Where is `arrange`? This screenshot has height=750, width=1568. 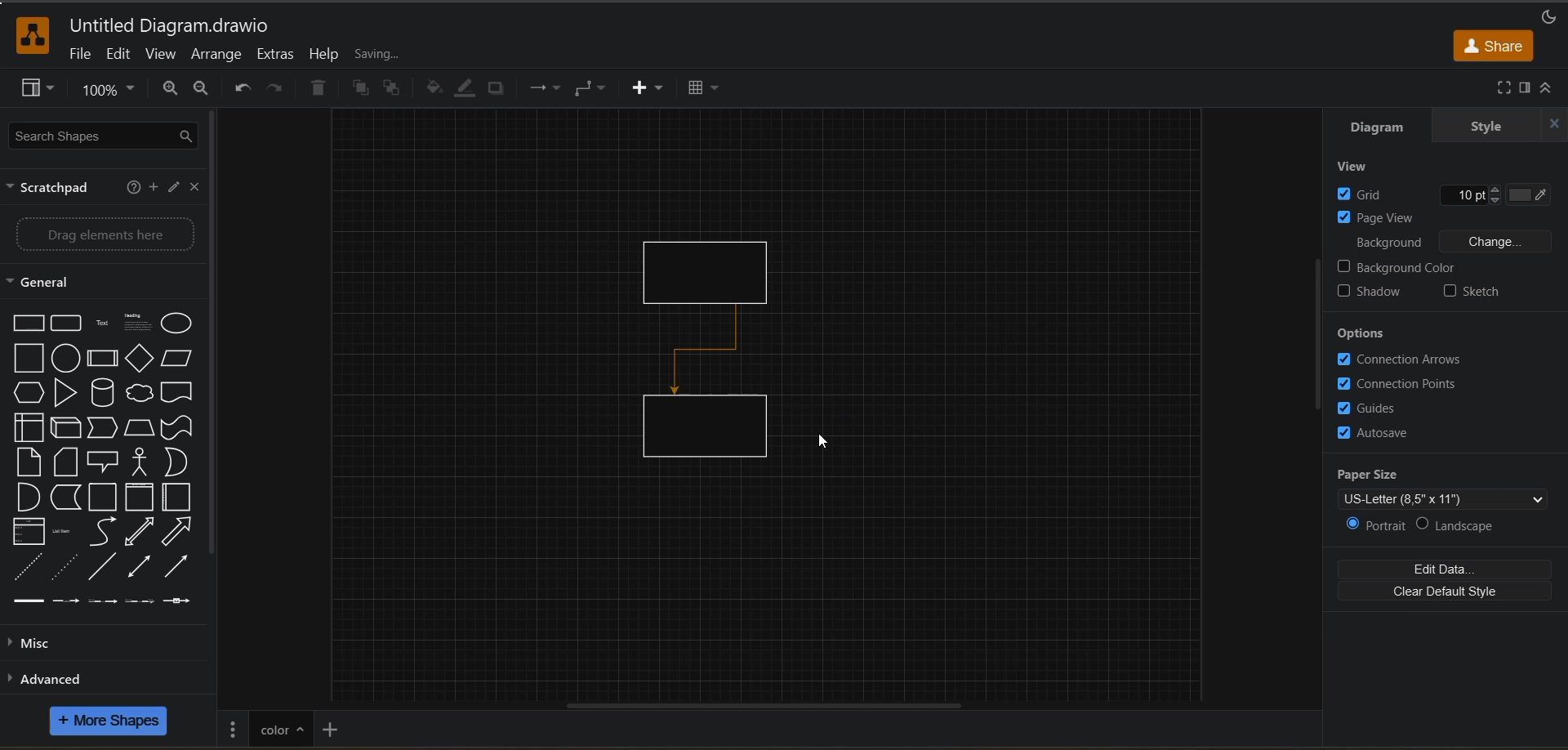
arrange is located at coordinates (218, 56).